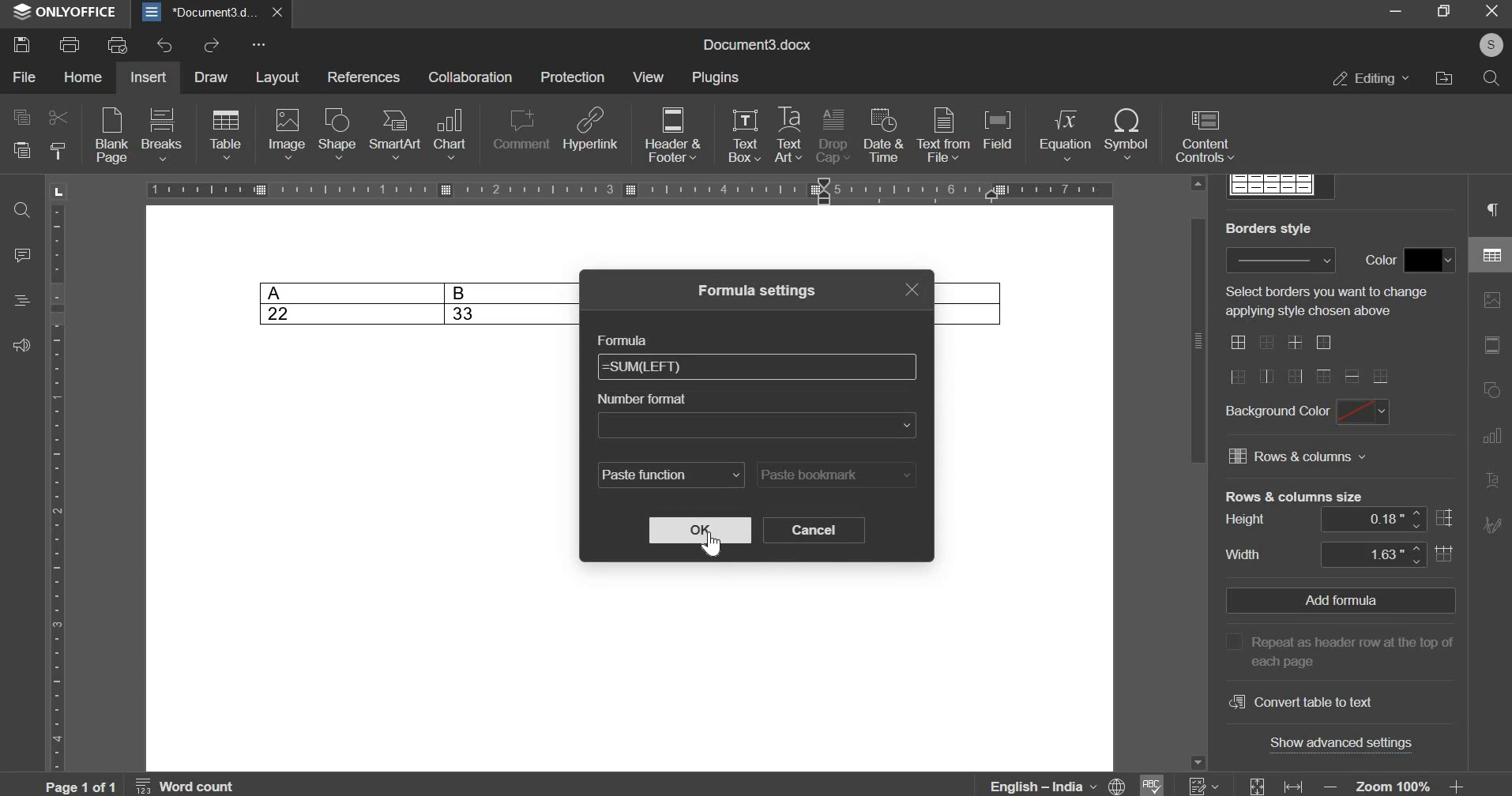 This screenshot has width=1512, height=796. Describe the element at coordinates (475, 77) in the screenshot. I see `collaboration` at that location.